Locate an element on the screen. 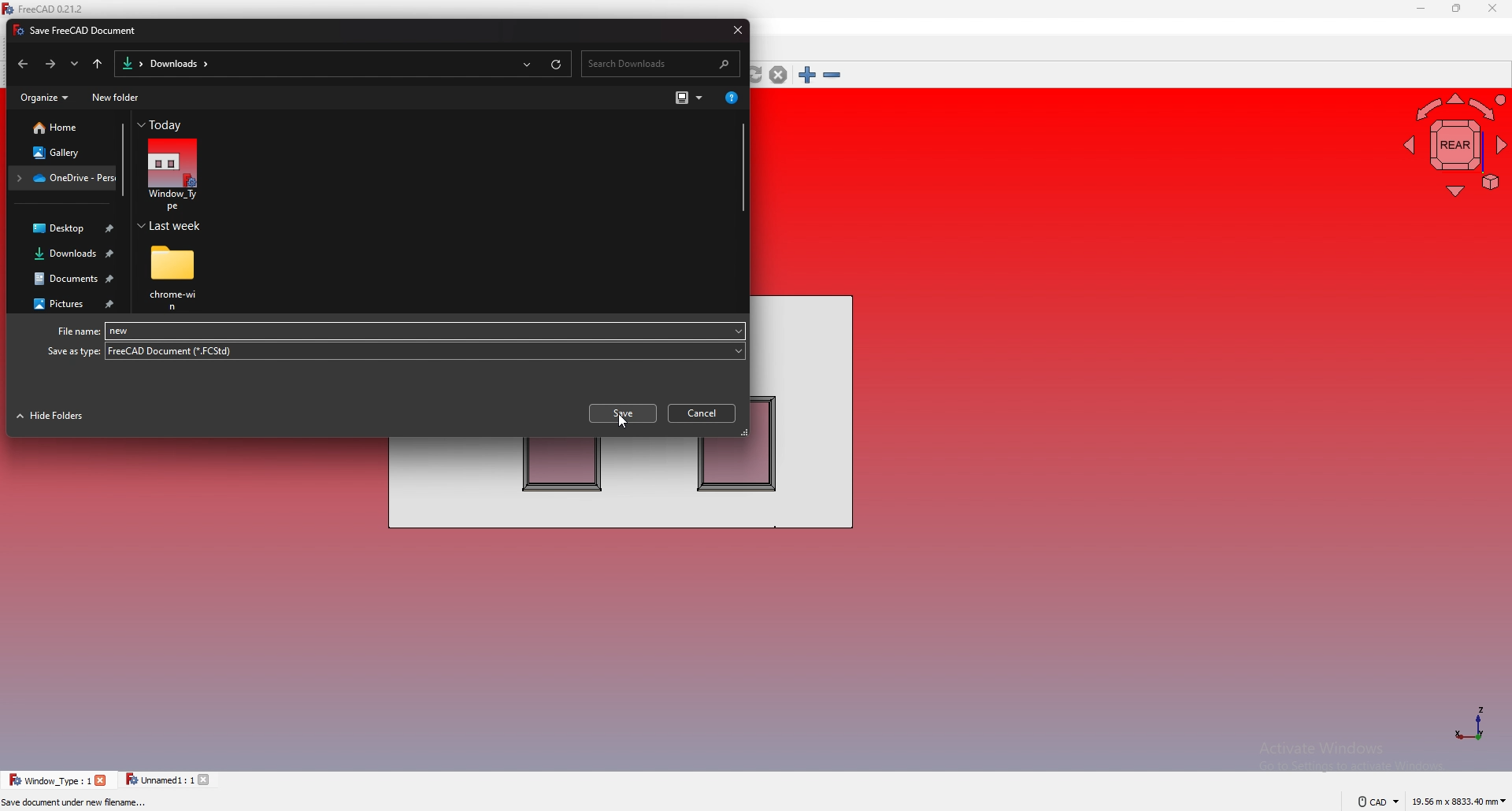 Image resolution: width=1512 pixels, height=811 pixels. close is located at coordinates (102, 780).